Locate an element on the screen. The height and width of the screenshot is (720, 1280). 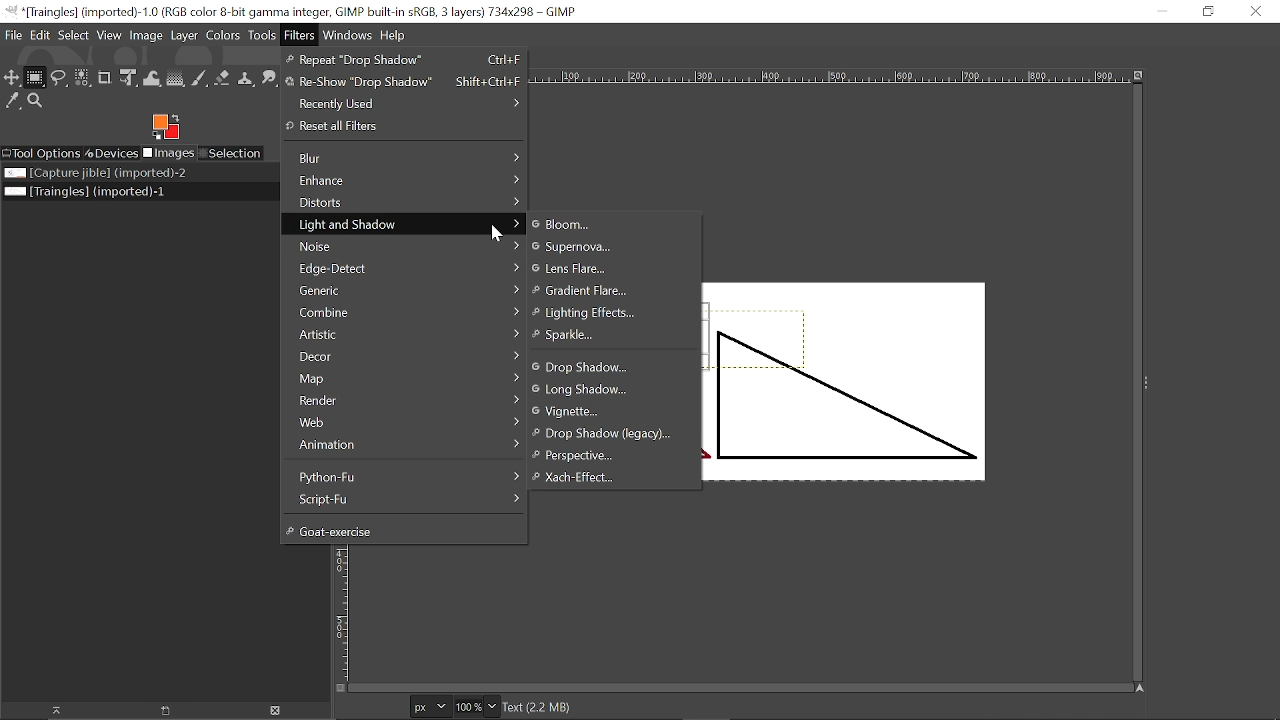
Free select is located at coordinates (60, 77).